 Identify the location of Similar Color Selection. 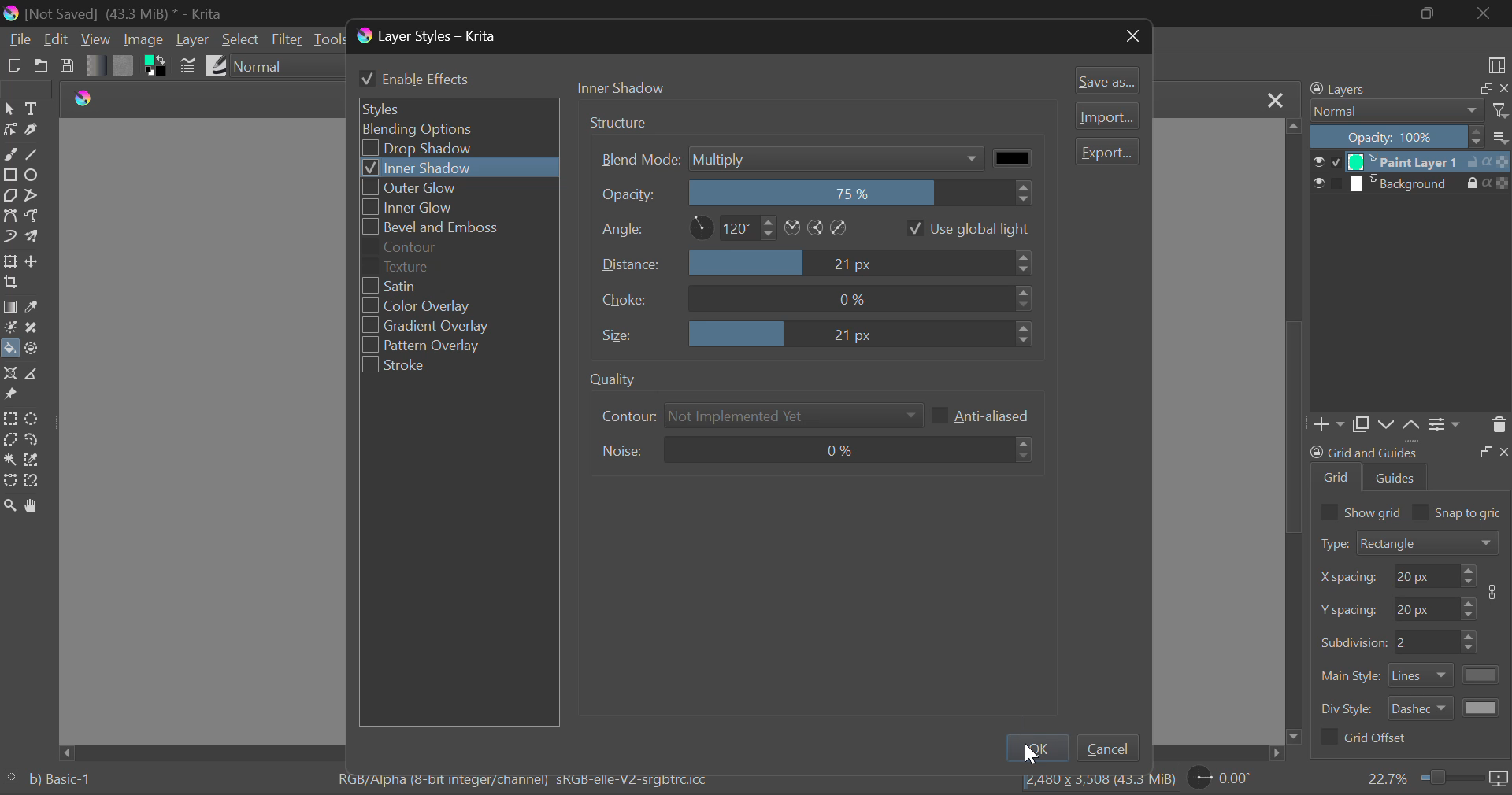
(32, 461).